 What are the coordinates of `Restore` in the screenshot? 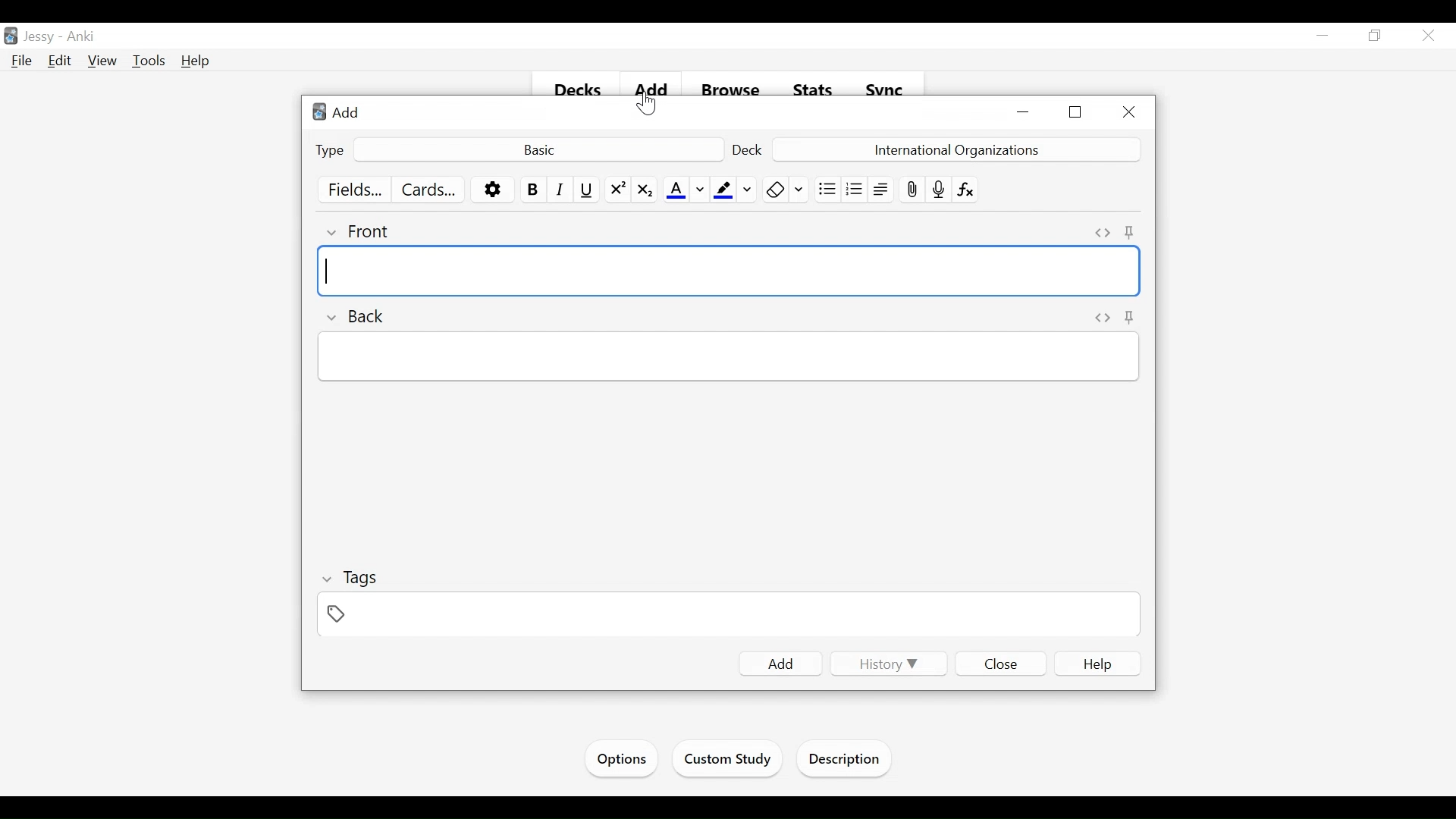 It's located at (1377, 35).